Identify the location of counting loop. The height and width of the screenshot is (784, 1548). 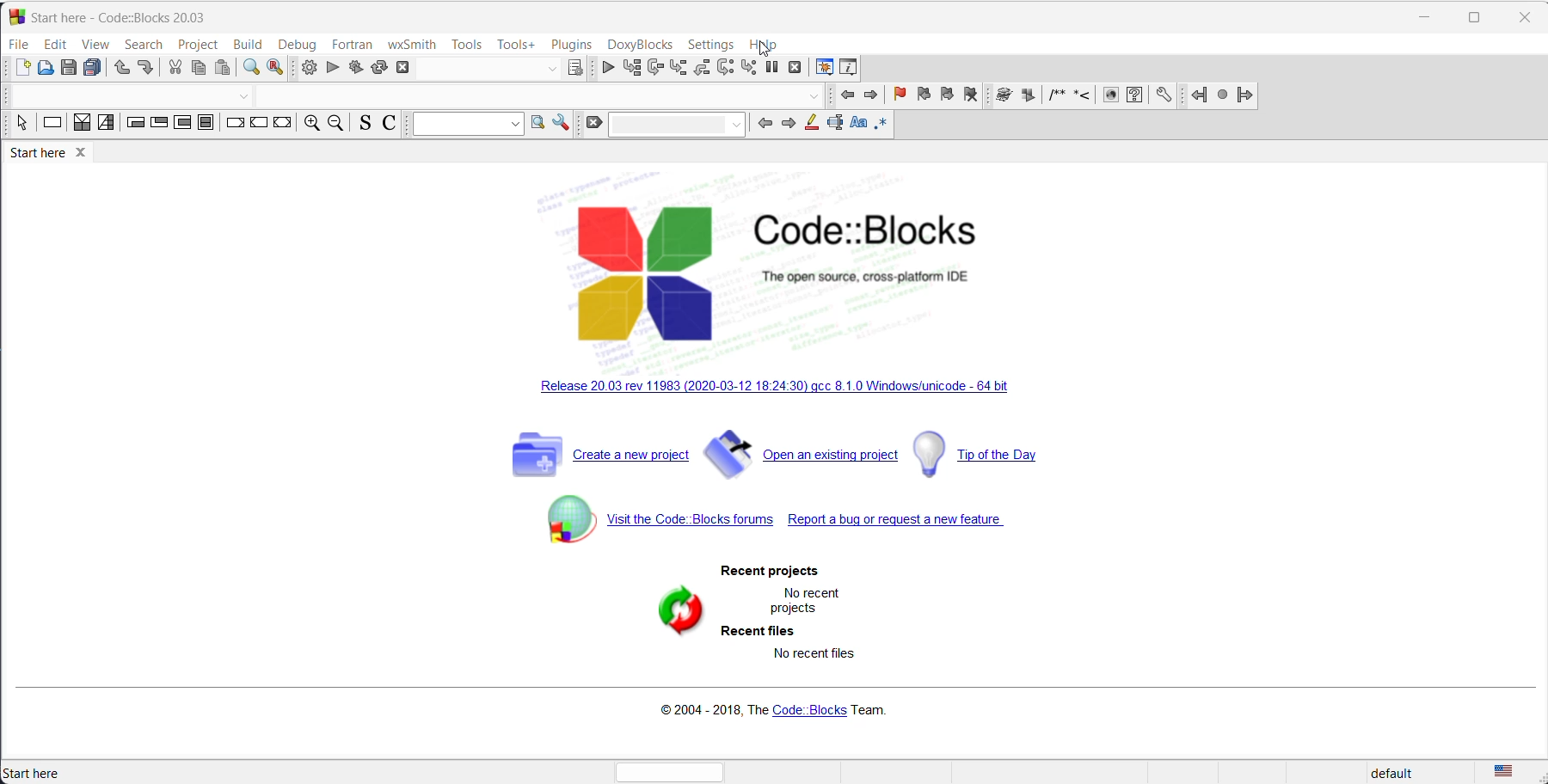
(183, 125).